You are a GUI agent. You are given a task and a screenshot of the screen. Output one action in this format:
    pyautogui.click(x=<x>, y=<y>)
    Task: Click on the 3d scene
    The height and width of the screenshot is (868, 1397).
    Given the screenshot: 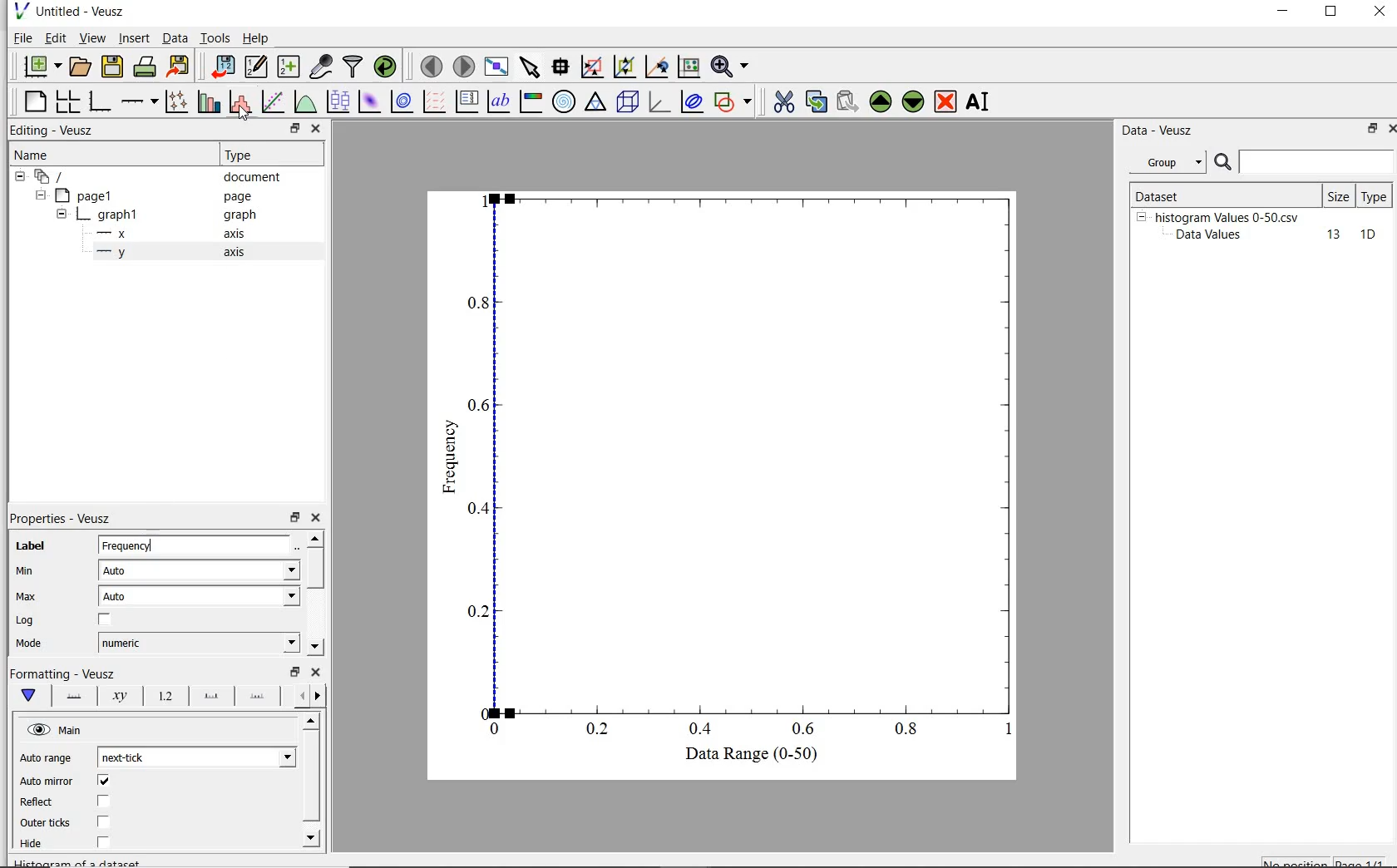 What is the action you would take?
    pyautogui.click(x=628, y=103)
    